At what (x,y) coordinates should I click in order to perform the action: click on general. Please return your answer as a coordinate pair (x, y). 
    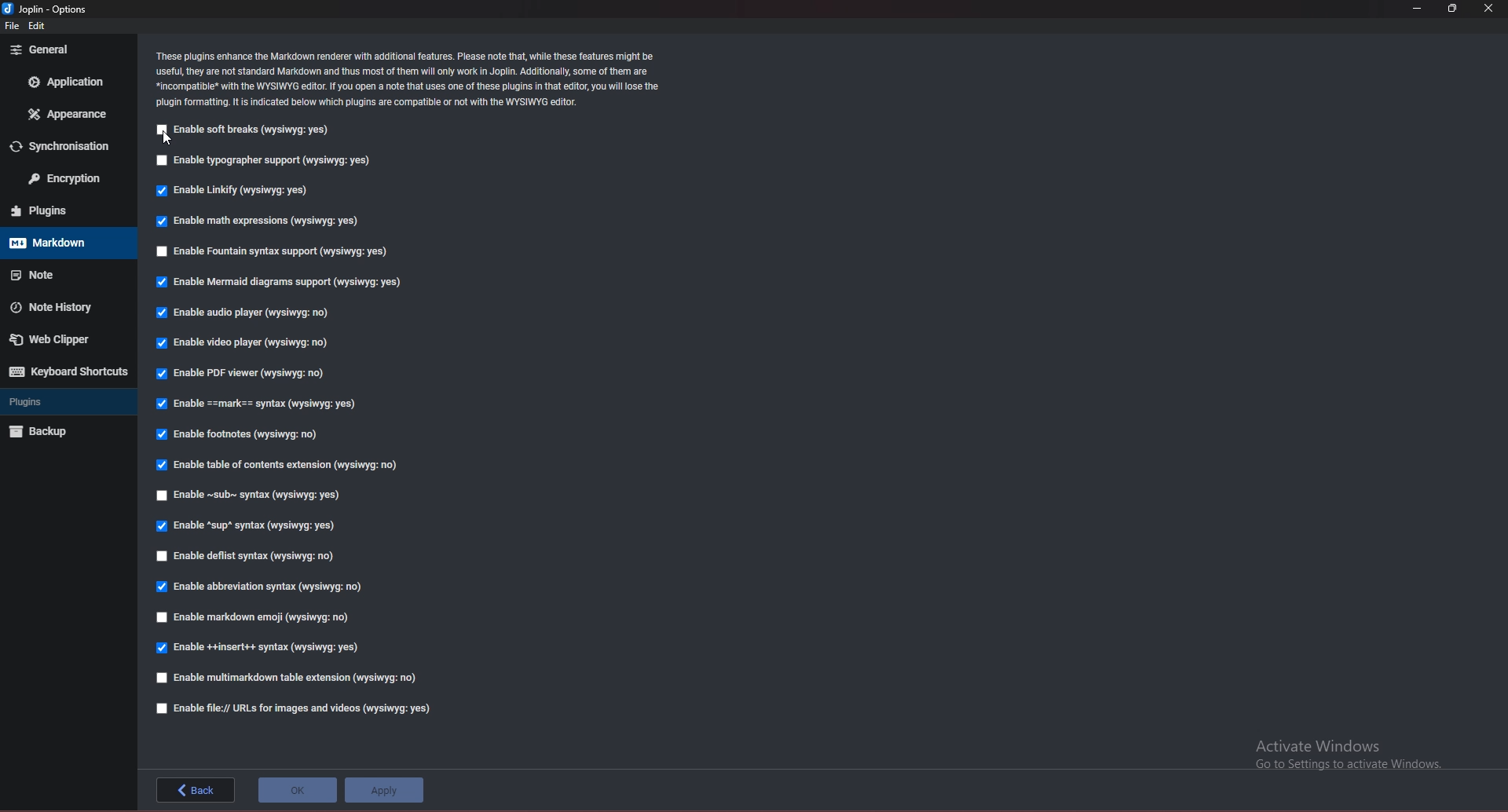
    Looking at the image, I should click on (69, 49).